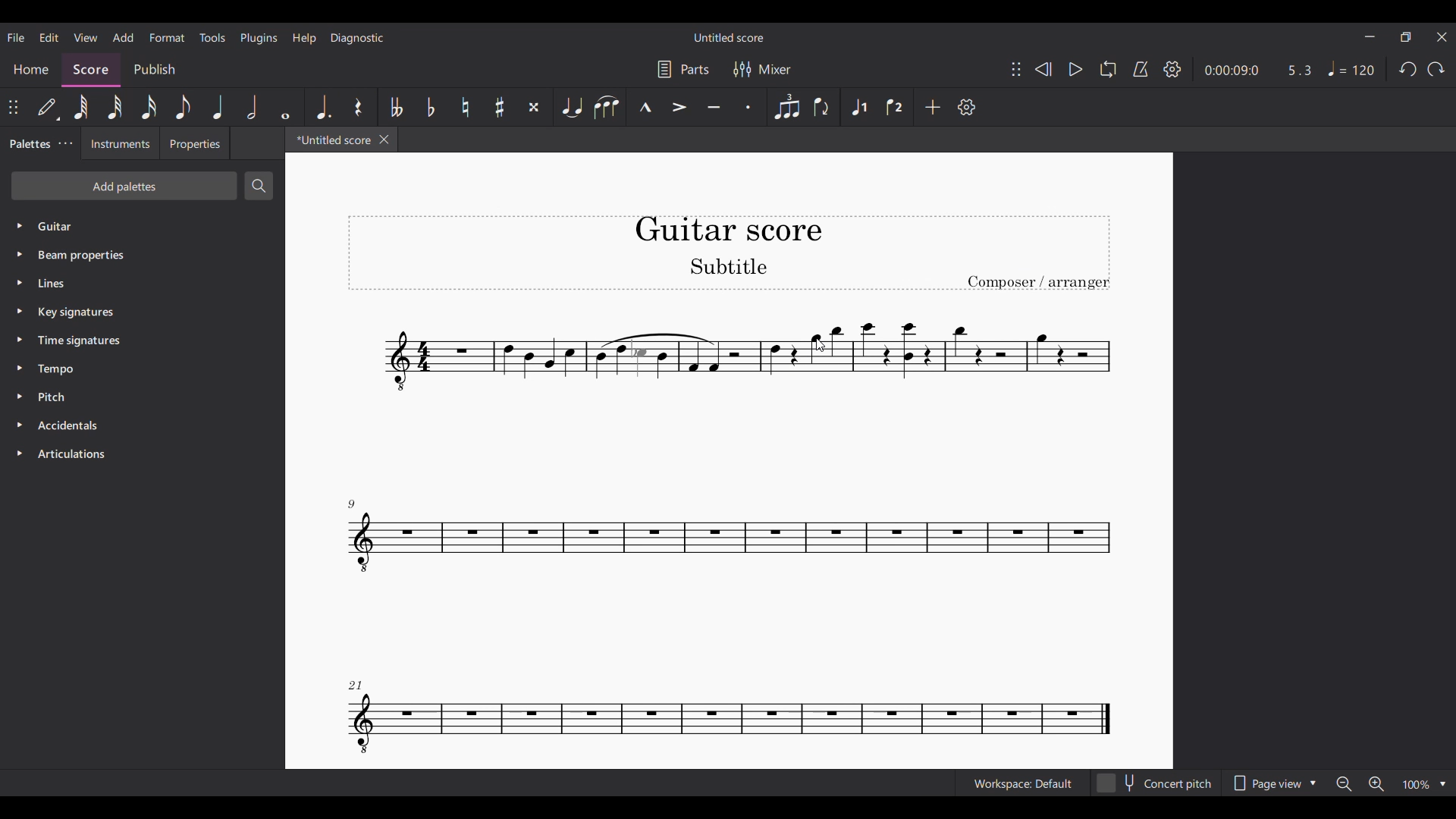 This screenshot has width=1456, height=819. What do you see at coordinates (19, 254) in the screenshot?
I see `Click to expand beam properties palette` at bounding box center [19, 254].